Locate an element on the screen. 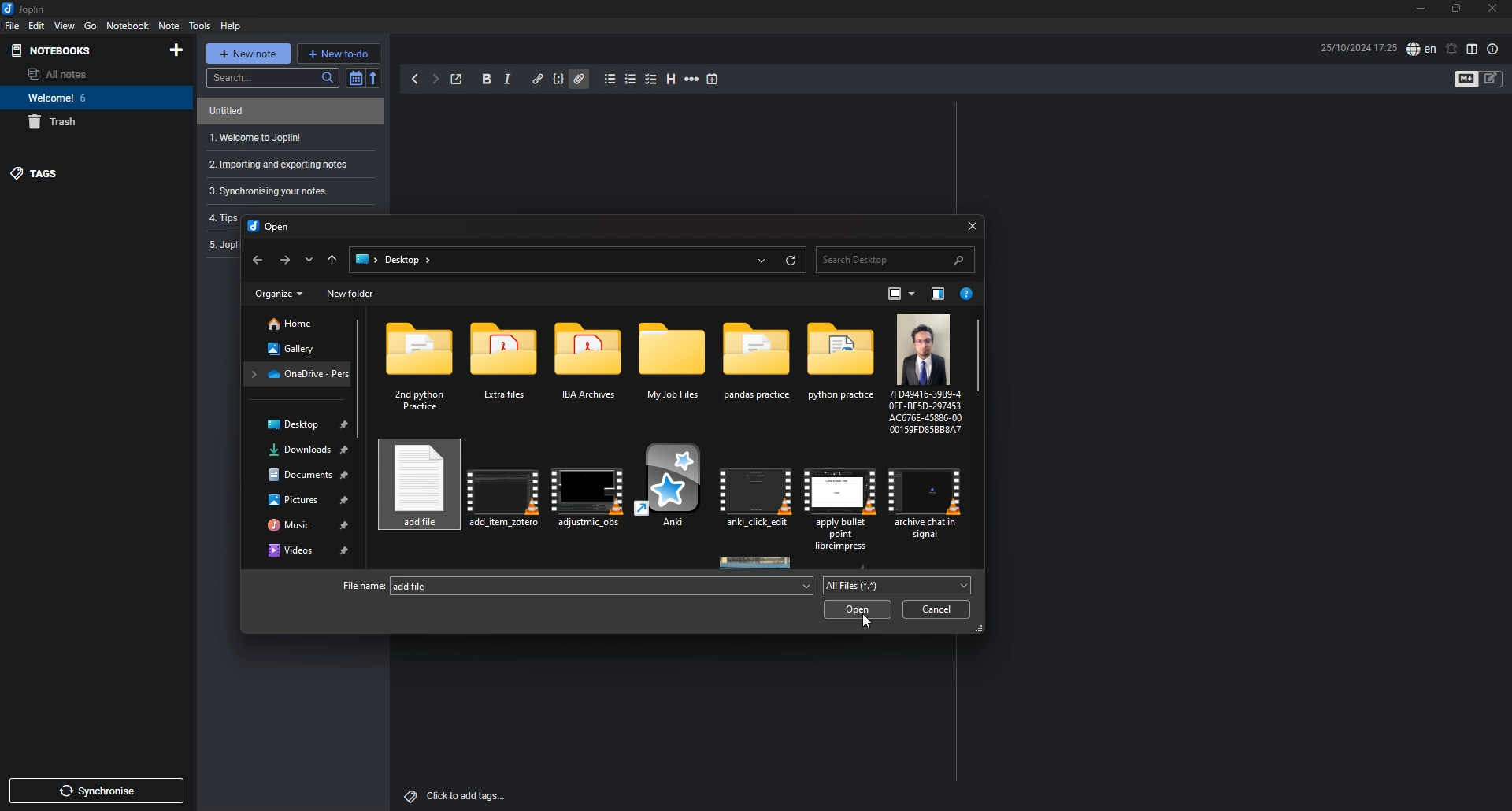 The height and width of the screenshot is (811, 1512). forward is located at coordinates (283, 261).